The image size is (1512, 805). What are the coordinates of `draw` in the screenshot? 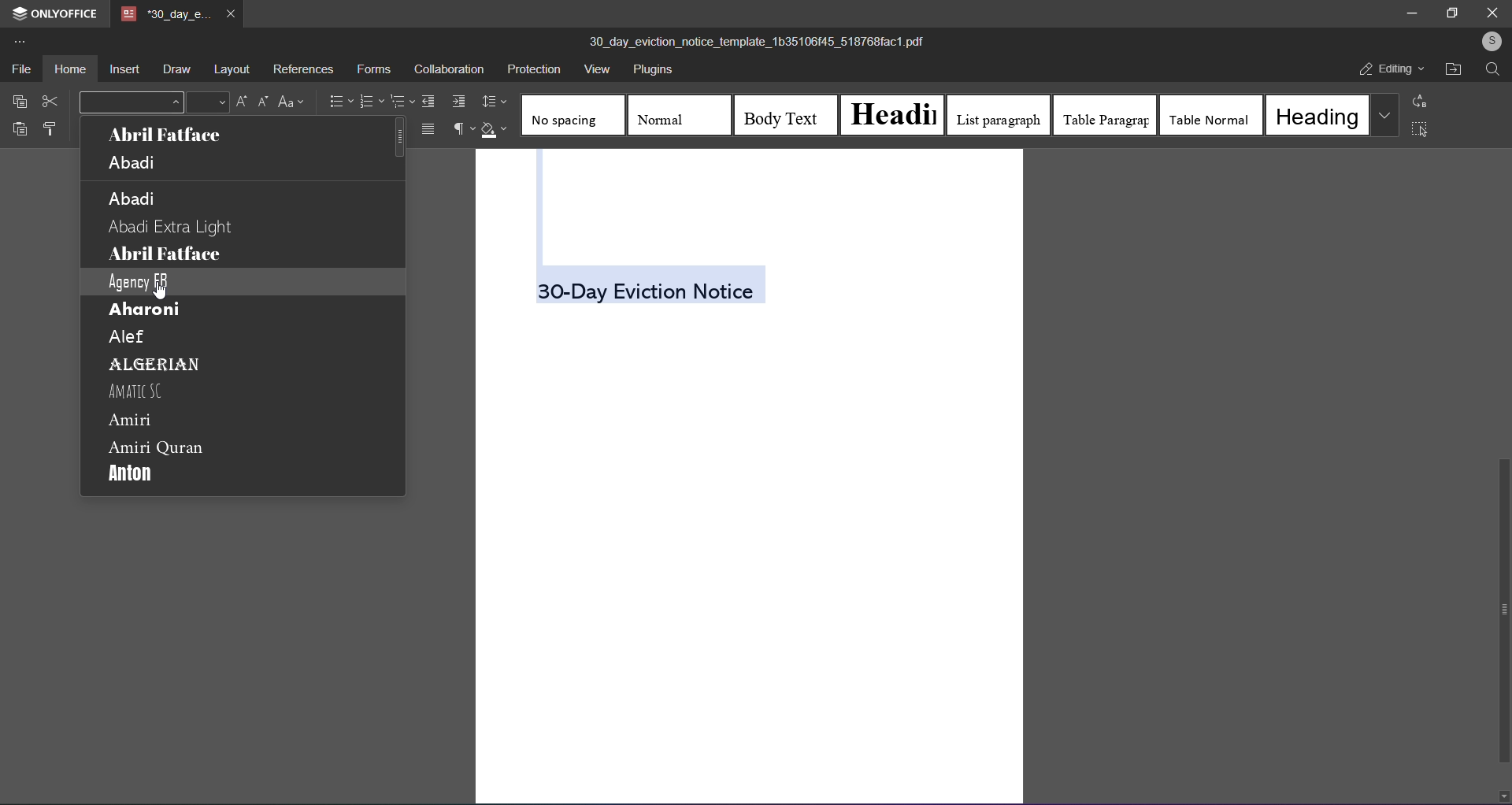 It's located at (175, 69).